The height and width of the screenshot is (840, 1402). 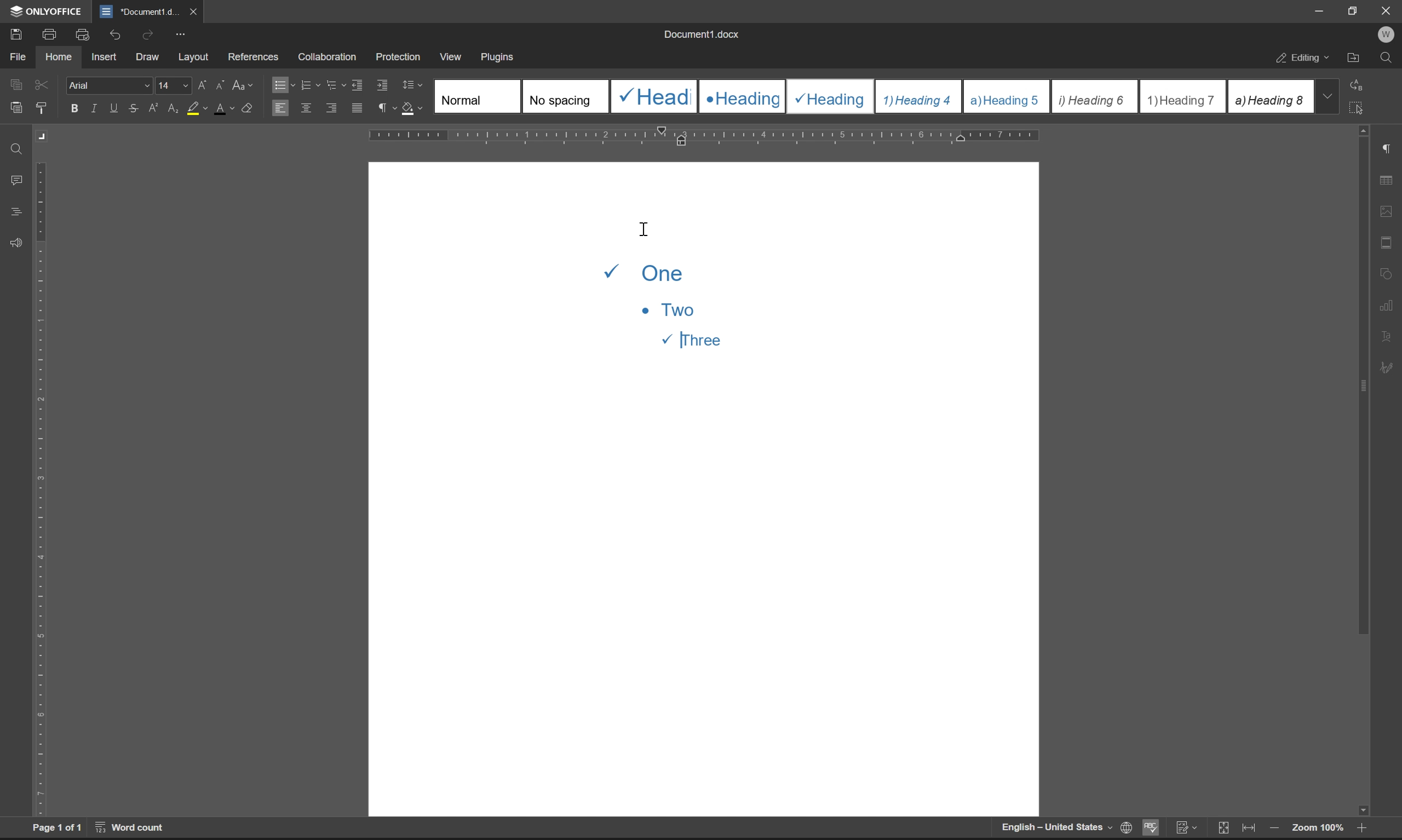 I want to click on Heading 8, so click(x=1270, y=96).